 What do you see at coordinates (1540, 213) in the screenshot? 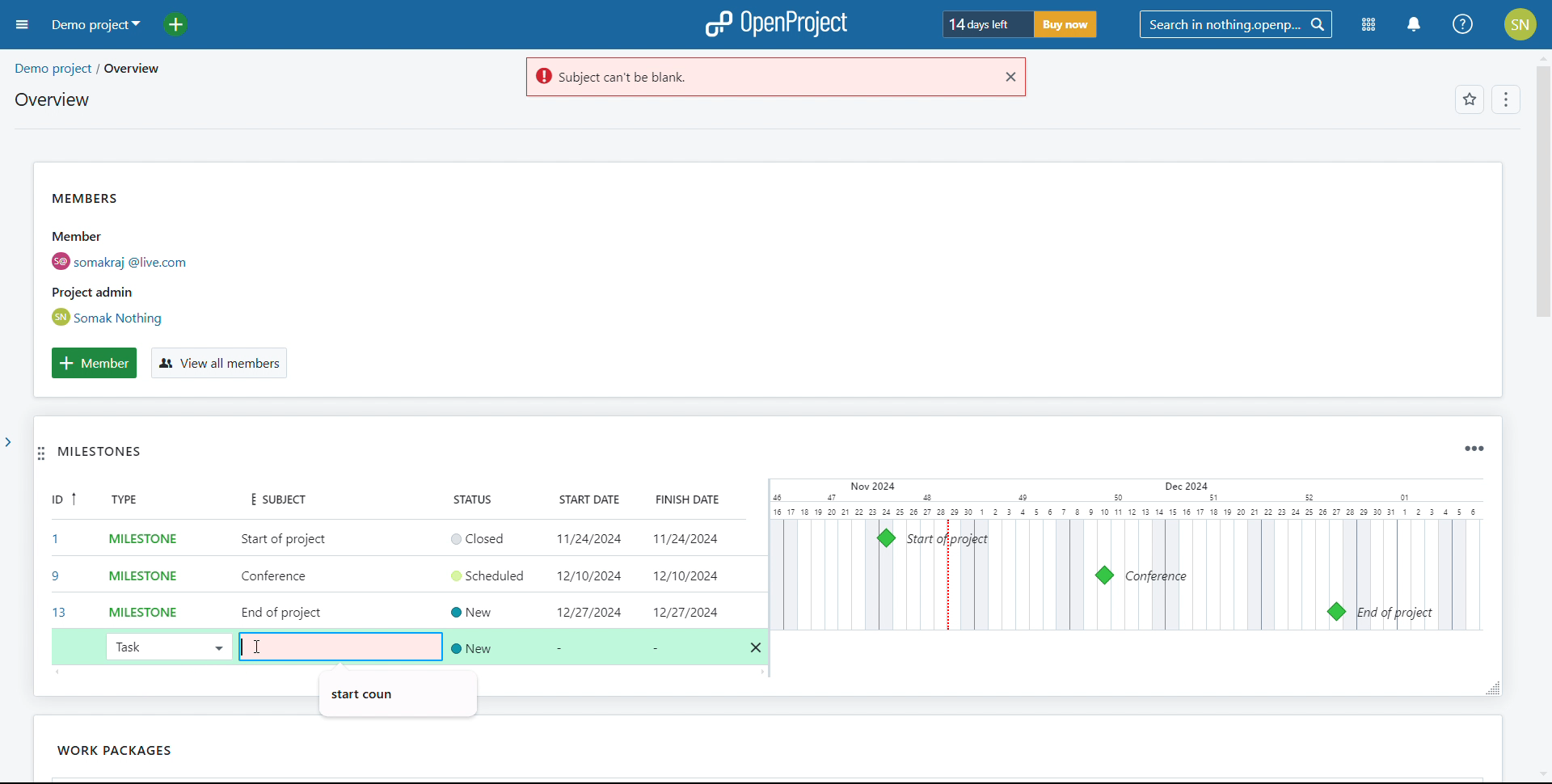
I see `scroll bar` at bounding box center [1540, 213].